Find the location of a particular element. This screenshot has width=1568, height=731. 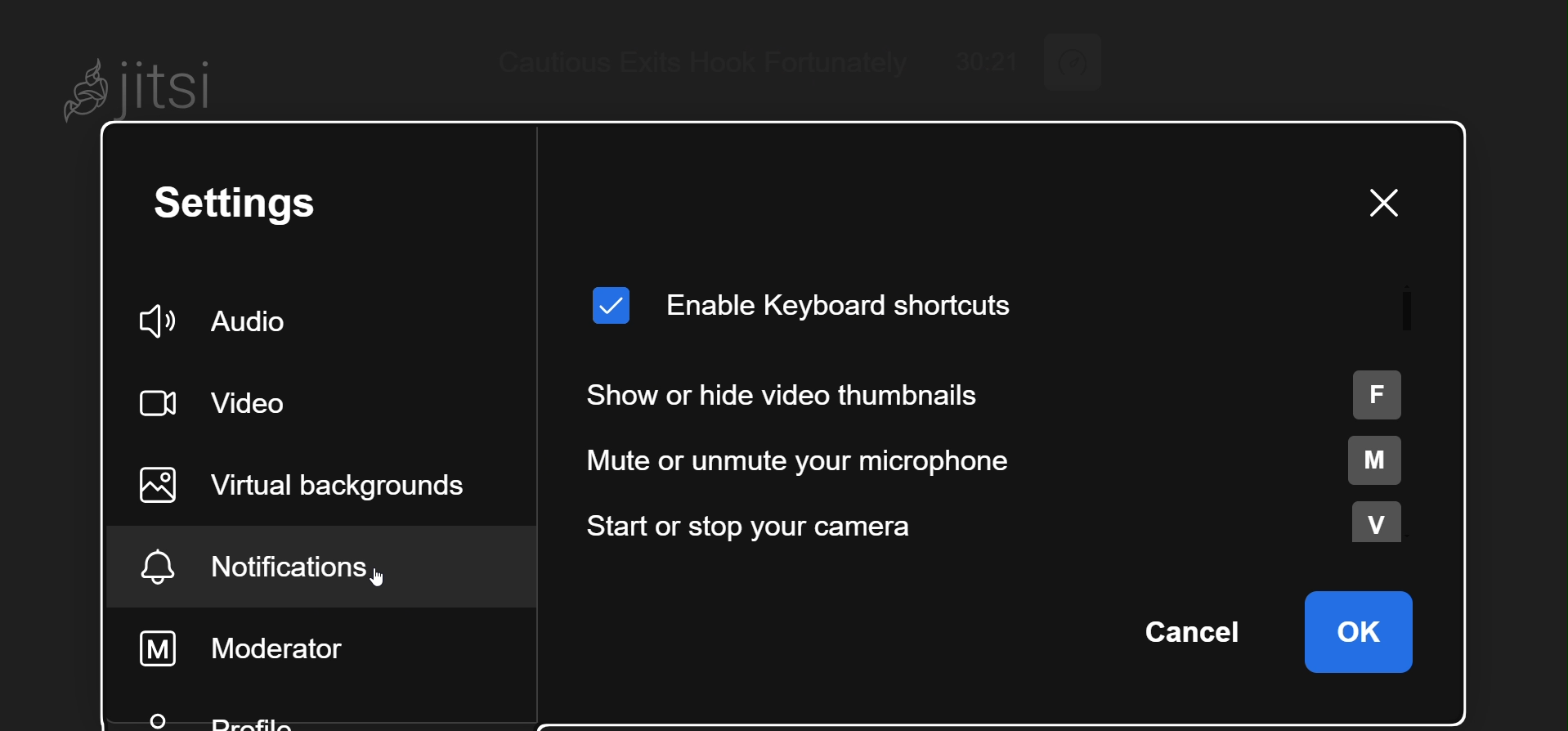

video is located at coordinates (227, 402).